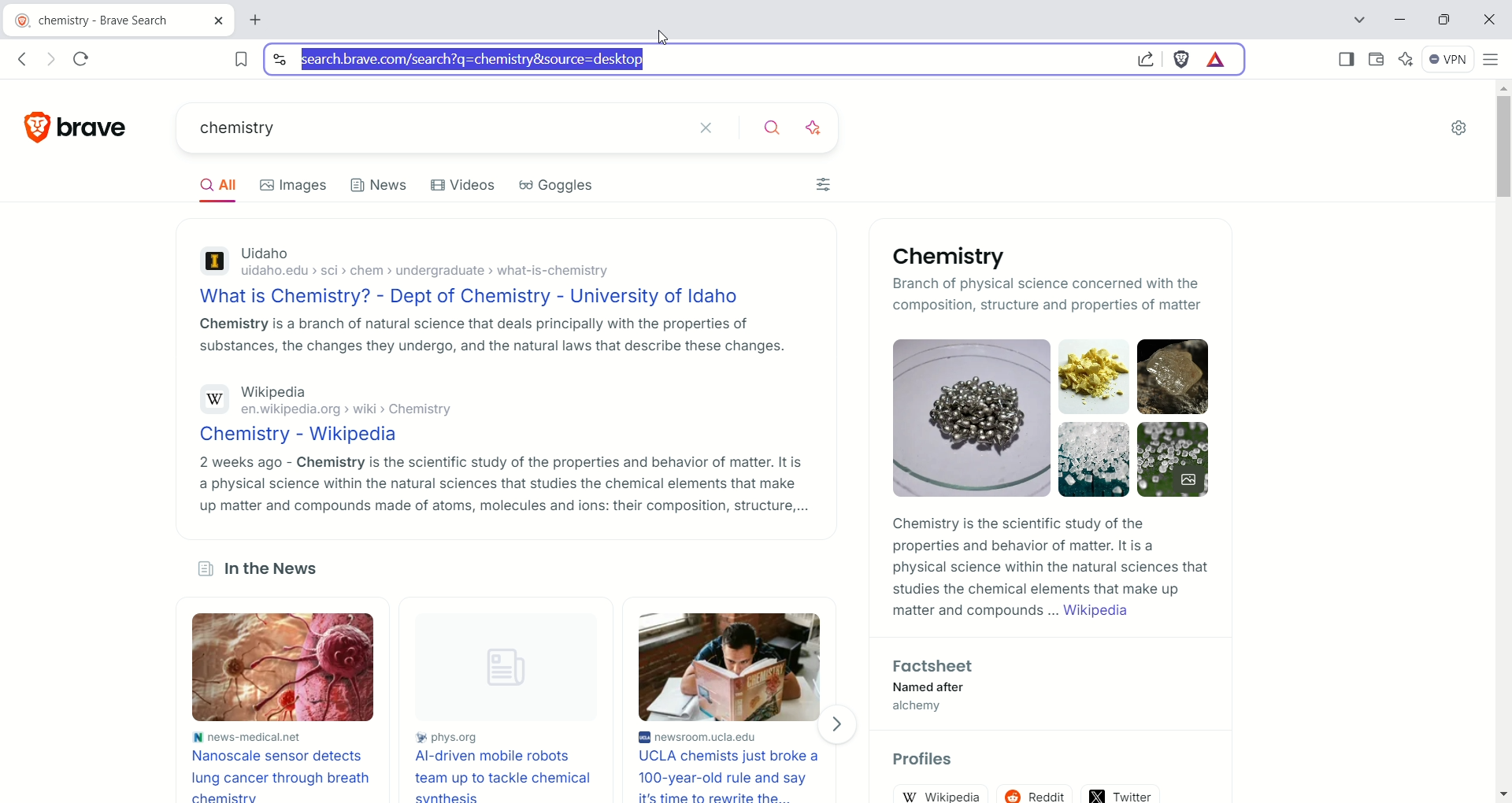  I want to click on Chemistry - Wikipedia, so click(305, 435).